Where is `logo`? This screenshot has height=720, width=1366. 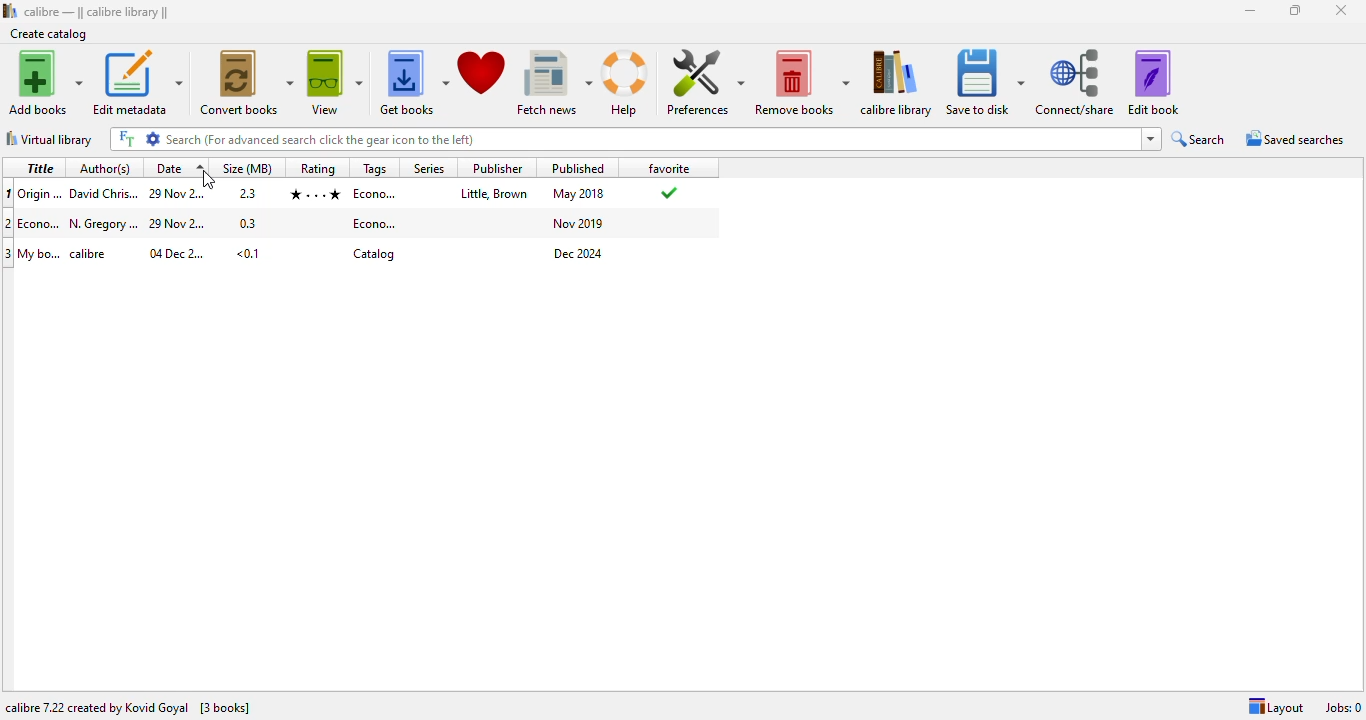
logo is located at coordinates (10, 10).